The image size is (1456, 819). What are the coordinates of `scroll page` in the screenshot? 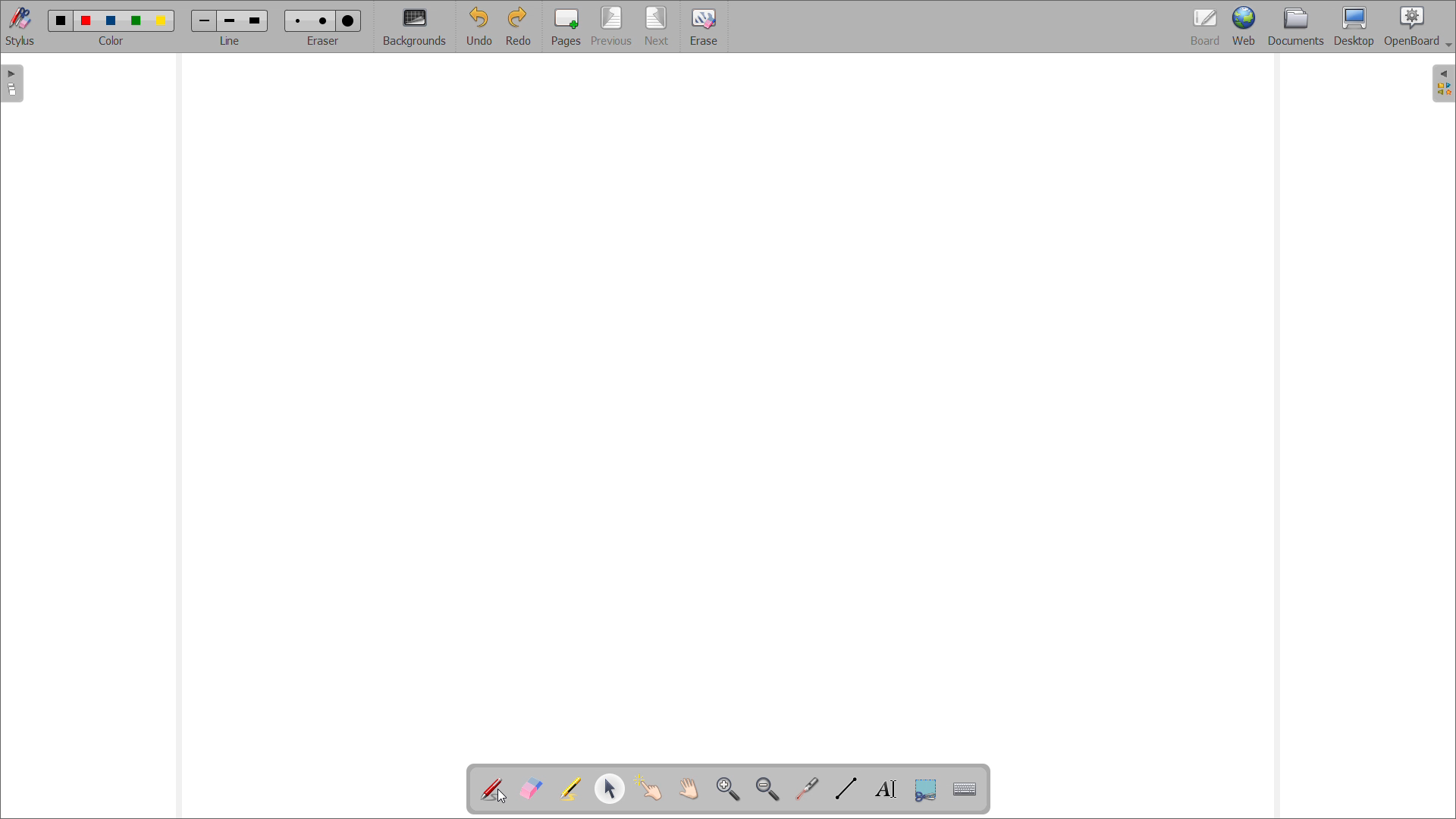 It's located at (689, 788).